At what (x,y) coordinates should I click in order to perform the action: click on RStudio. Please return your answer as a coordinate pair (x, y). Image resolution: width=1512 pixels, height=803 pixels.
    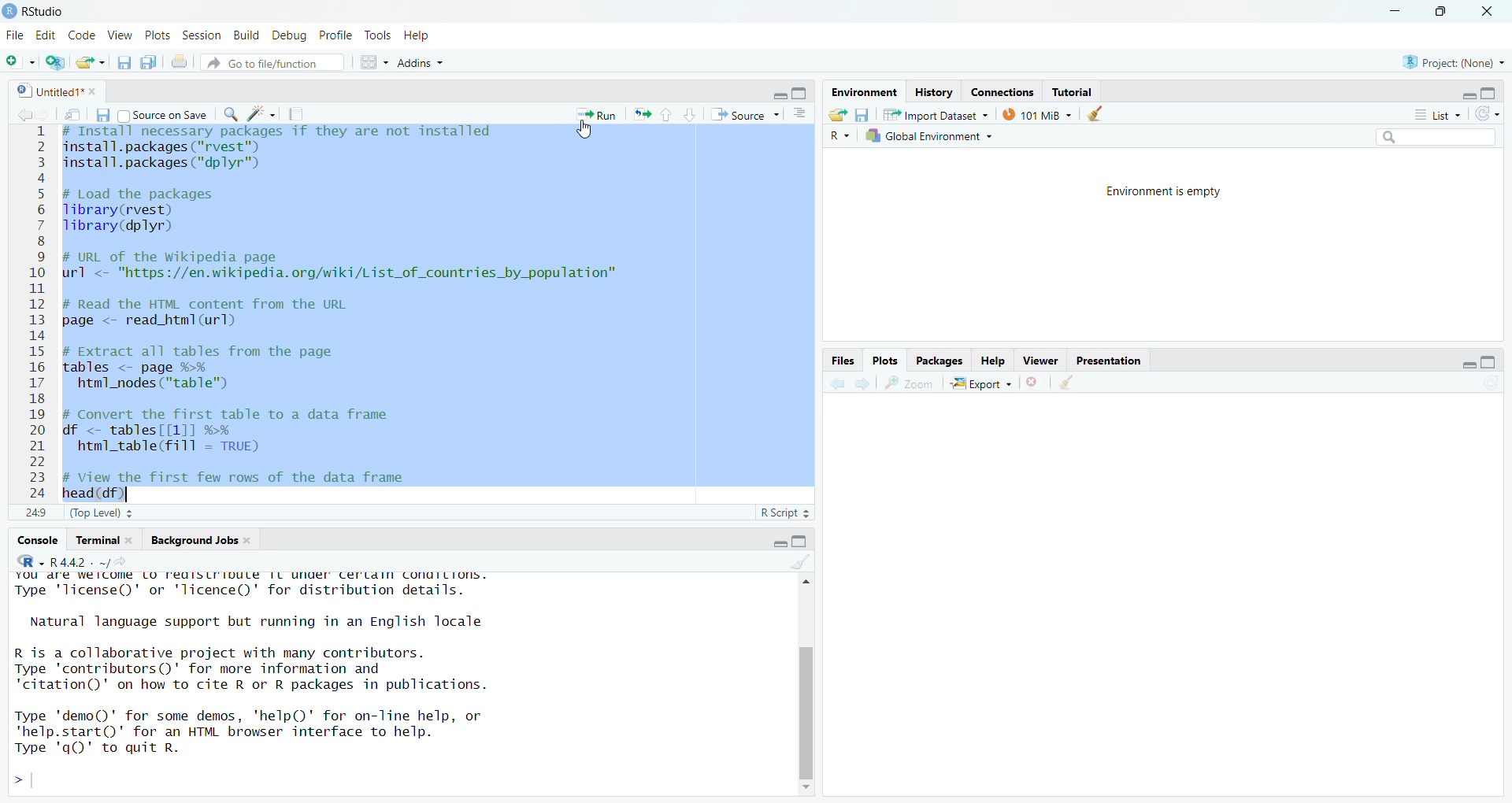
    Looking at the image, I should click on (42, 12).